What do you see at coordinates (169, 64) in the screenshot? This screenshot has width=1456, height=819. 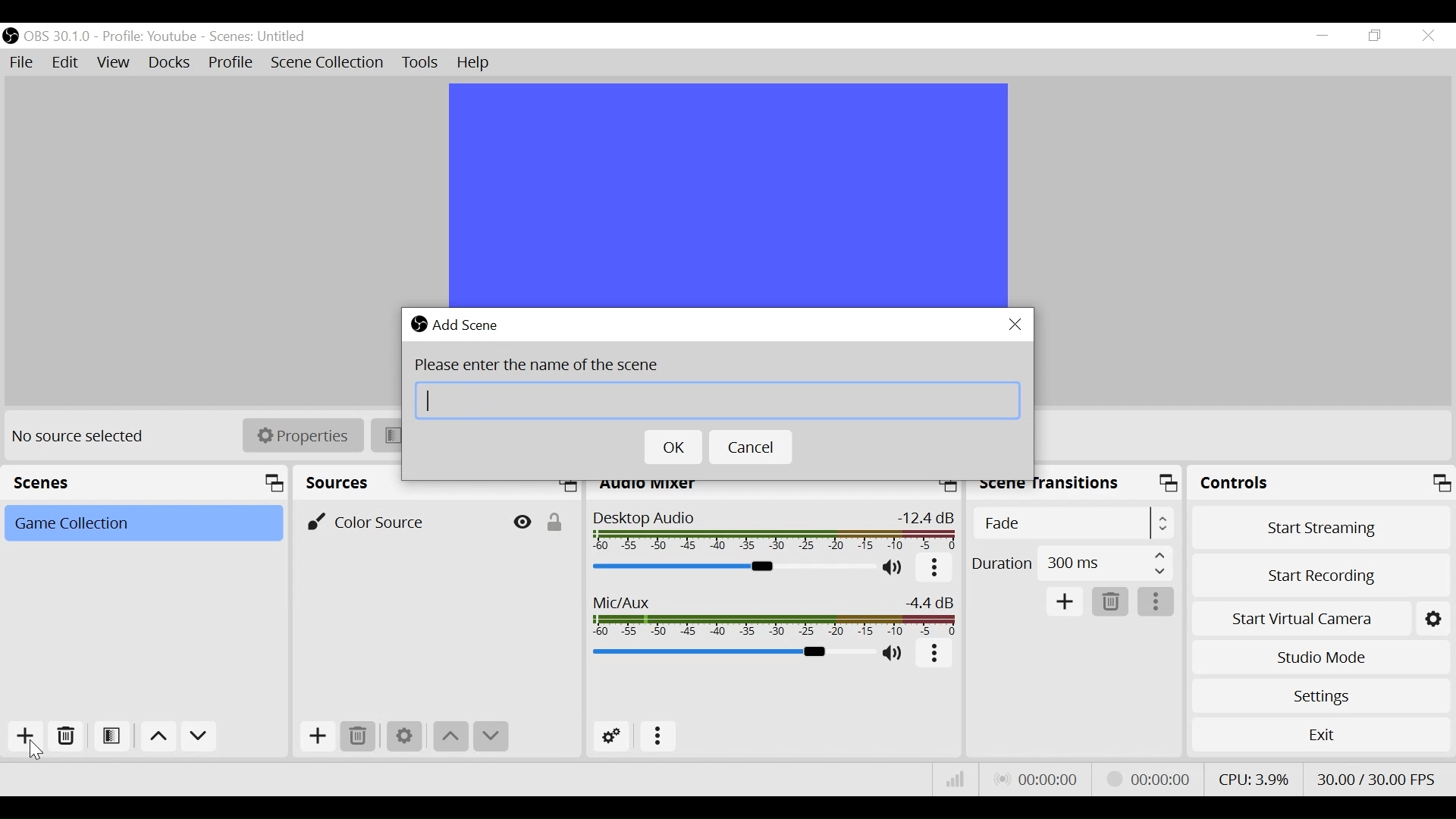 I see `Docks` at bounding box center [169, 64].